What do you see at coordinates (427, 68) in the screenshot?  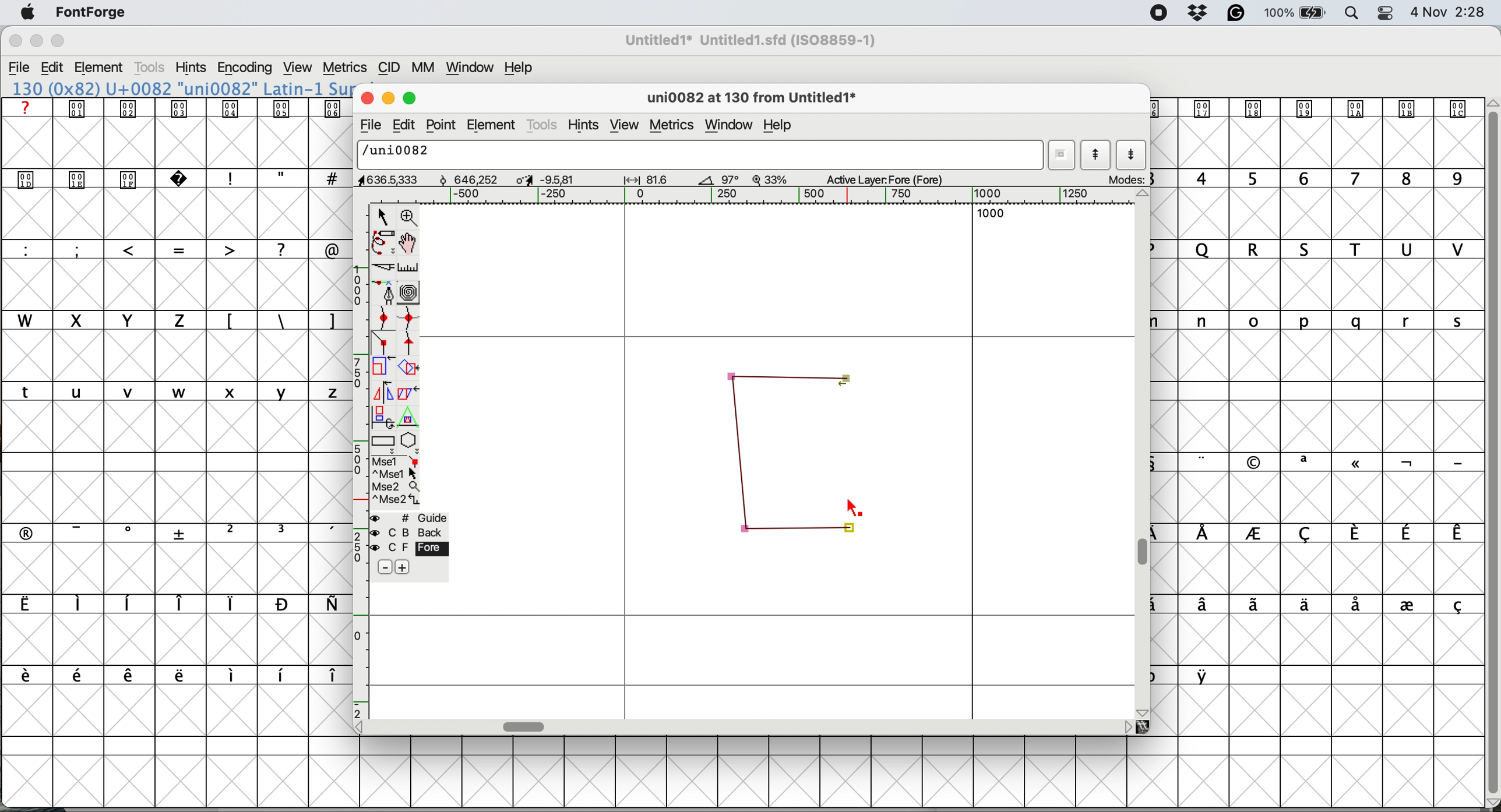 I see `mm` at bounding box center [427, 68].